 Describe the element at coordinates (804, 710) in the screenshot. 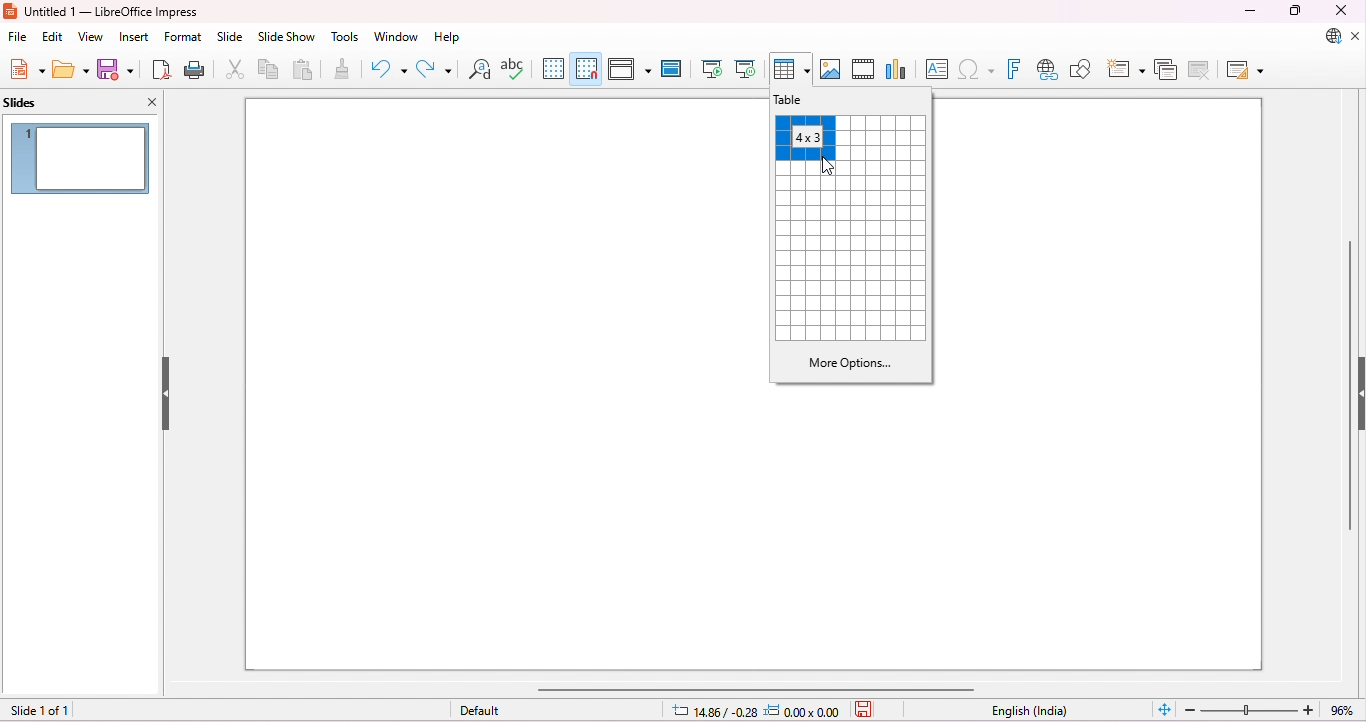

I see `object position` at that location.